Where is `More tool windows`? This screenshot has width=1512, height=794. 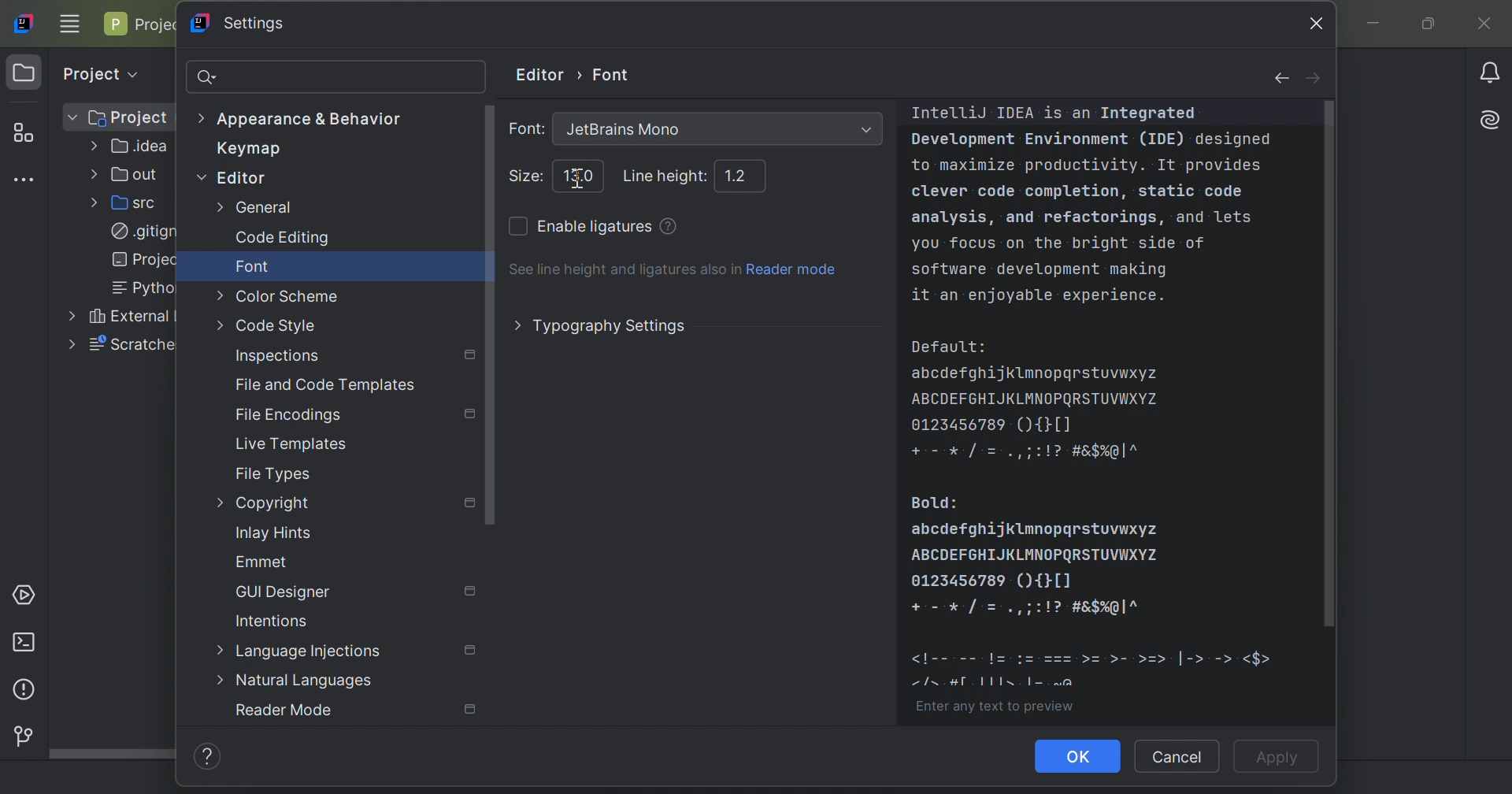 More tool windows is located at coordinates (28, 180).